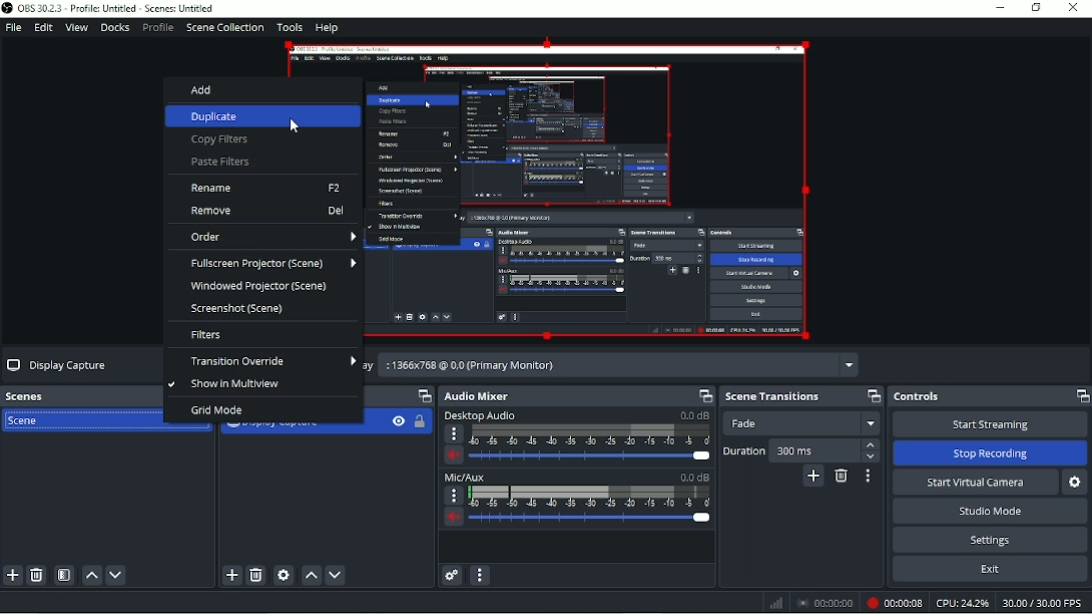 The width and height of the screenshot is (1092, 614). I want to click on Open source properties, so click(284, 575).